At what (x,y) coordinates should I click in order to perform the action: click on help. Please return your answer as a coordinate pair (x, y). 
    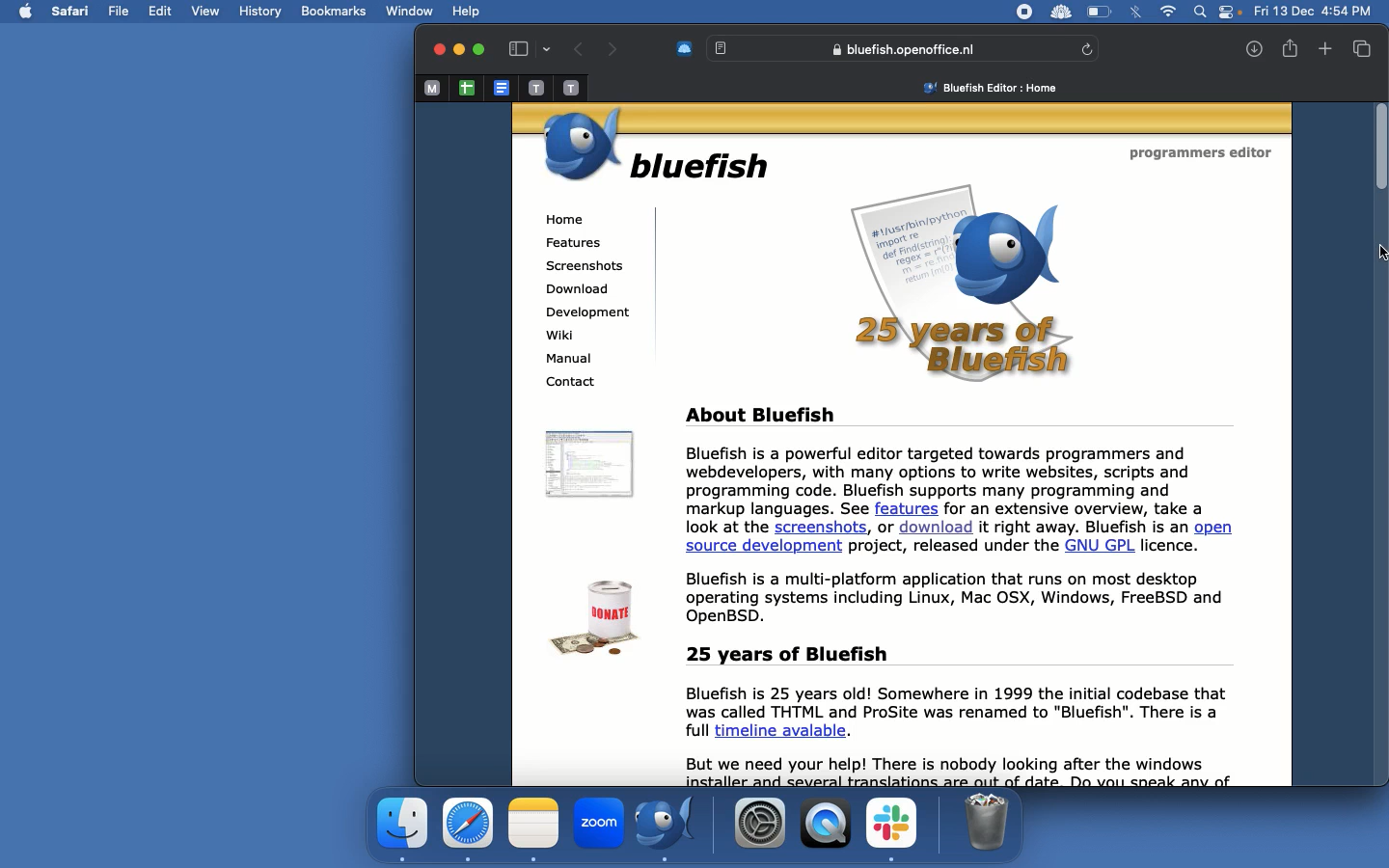
    Looking at the image, I should click on (464, 10).